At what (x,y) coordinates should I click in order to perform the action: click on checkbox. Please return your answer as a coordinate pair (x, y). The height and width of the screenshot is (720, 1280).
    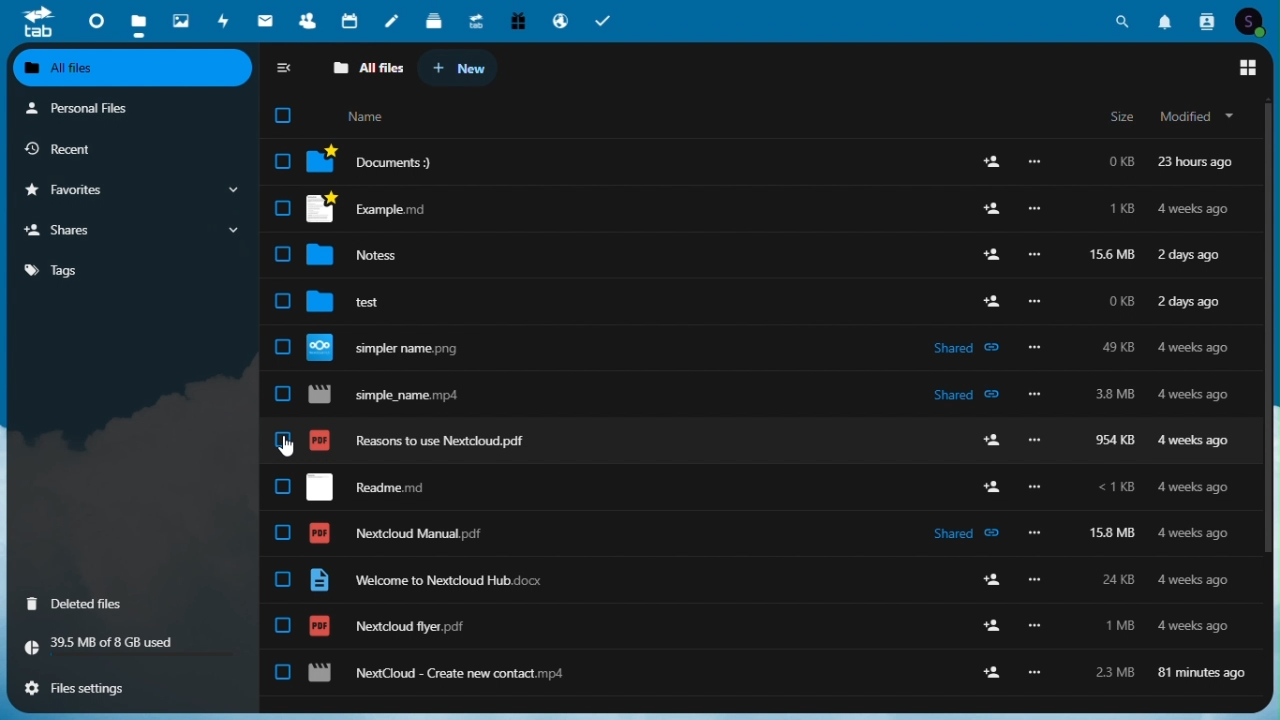
    Looking at the image, I should click on (282, 439).